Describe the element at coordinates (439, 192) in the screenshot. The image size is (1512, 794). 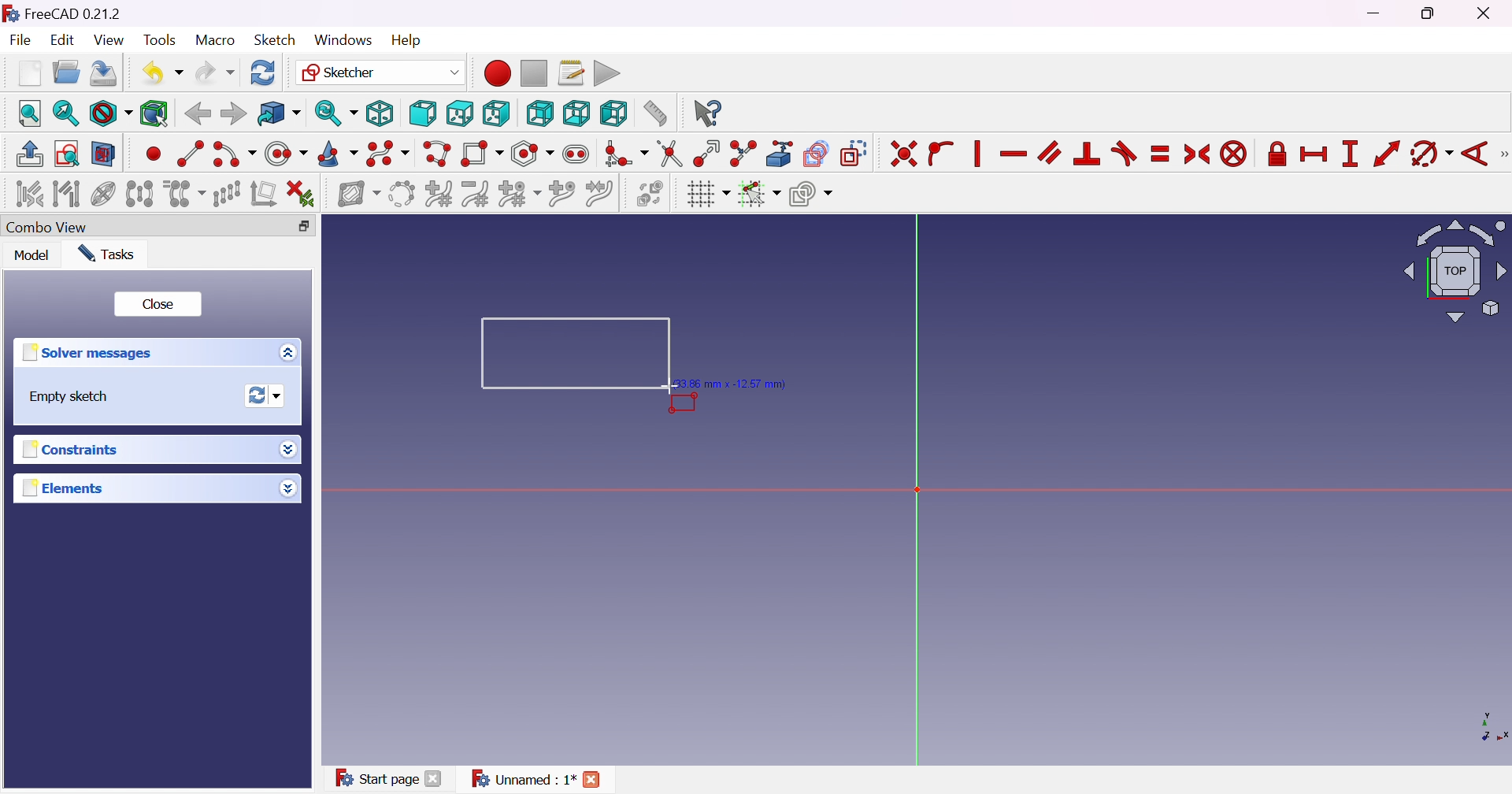
I see `Increase B-spline degree` at that location.